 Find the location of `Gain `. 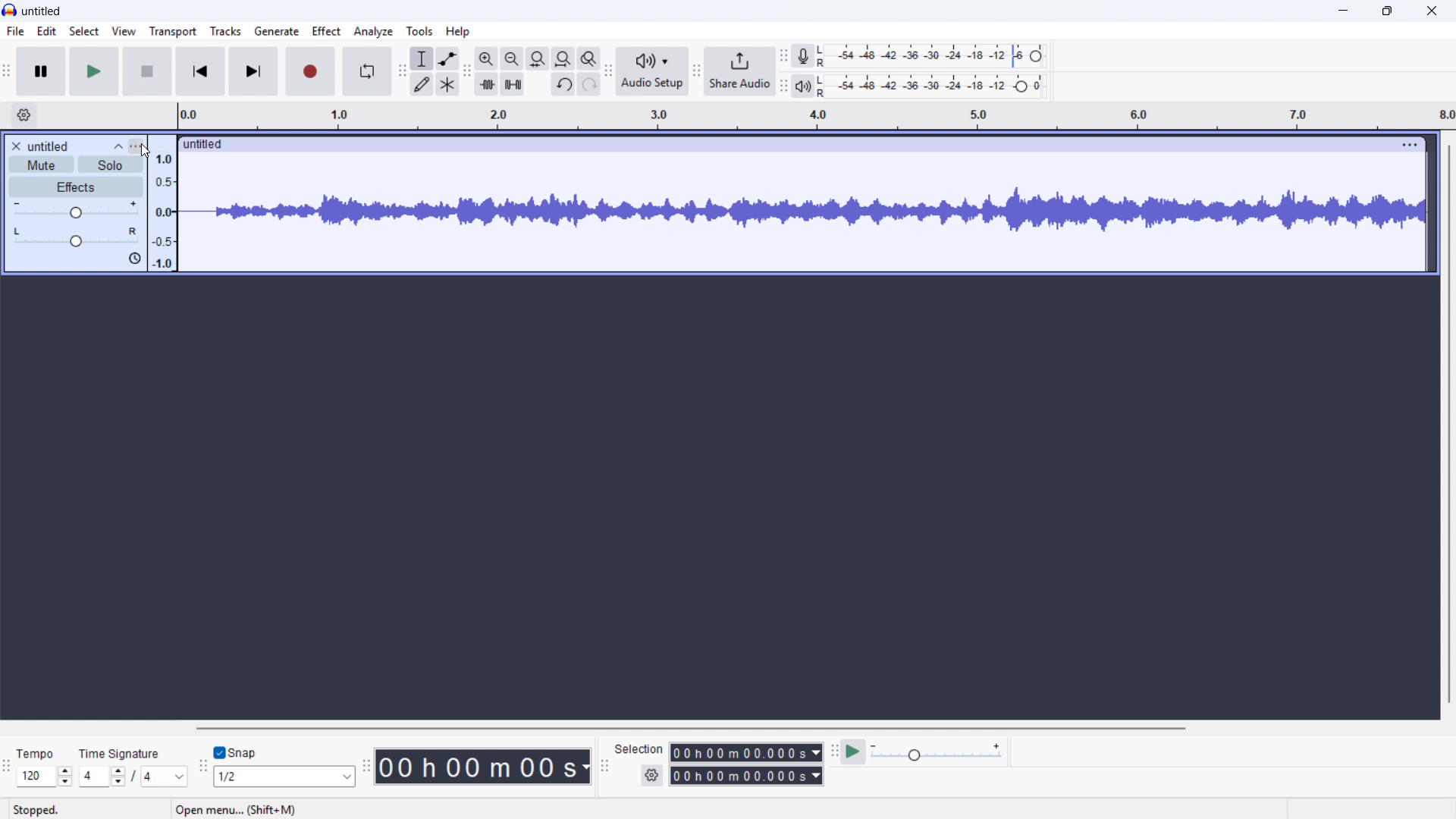

Gain  is located at coordinates (77, 209).